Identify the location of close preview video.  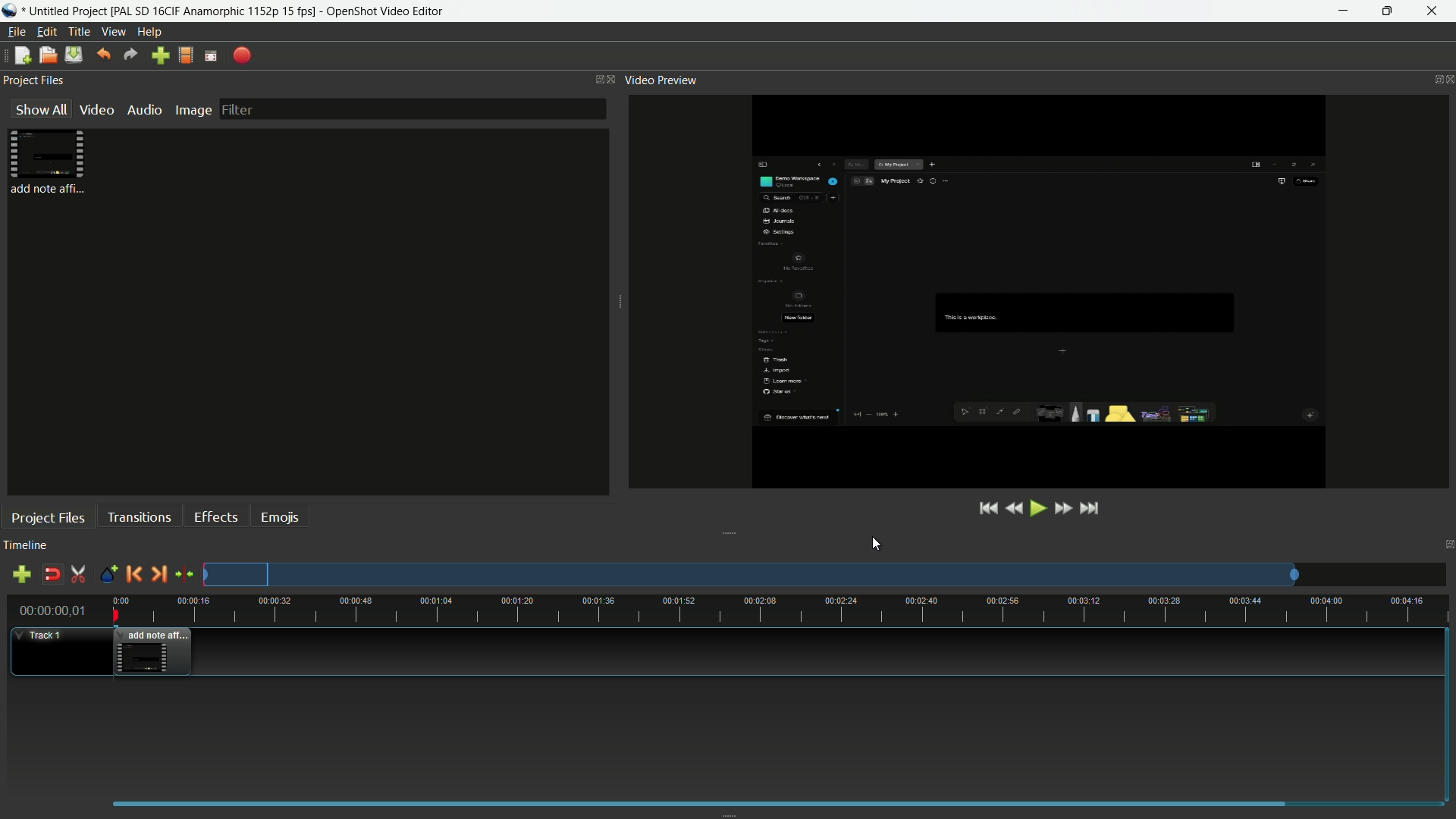
(1447, 80).